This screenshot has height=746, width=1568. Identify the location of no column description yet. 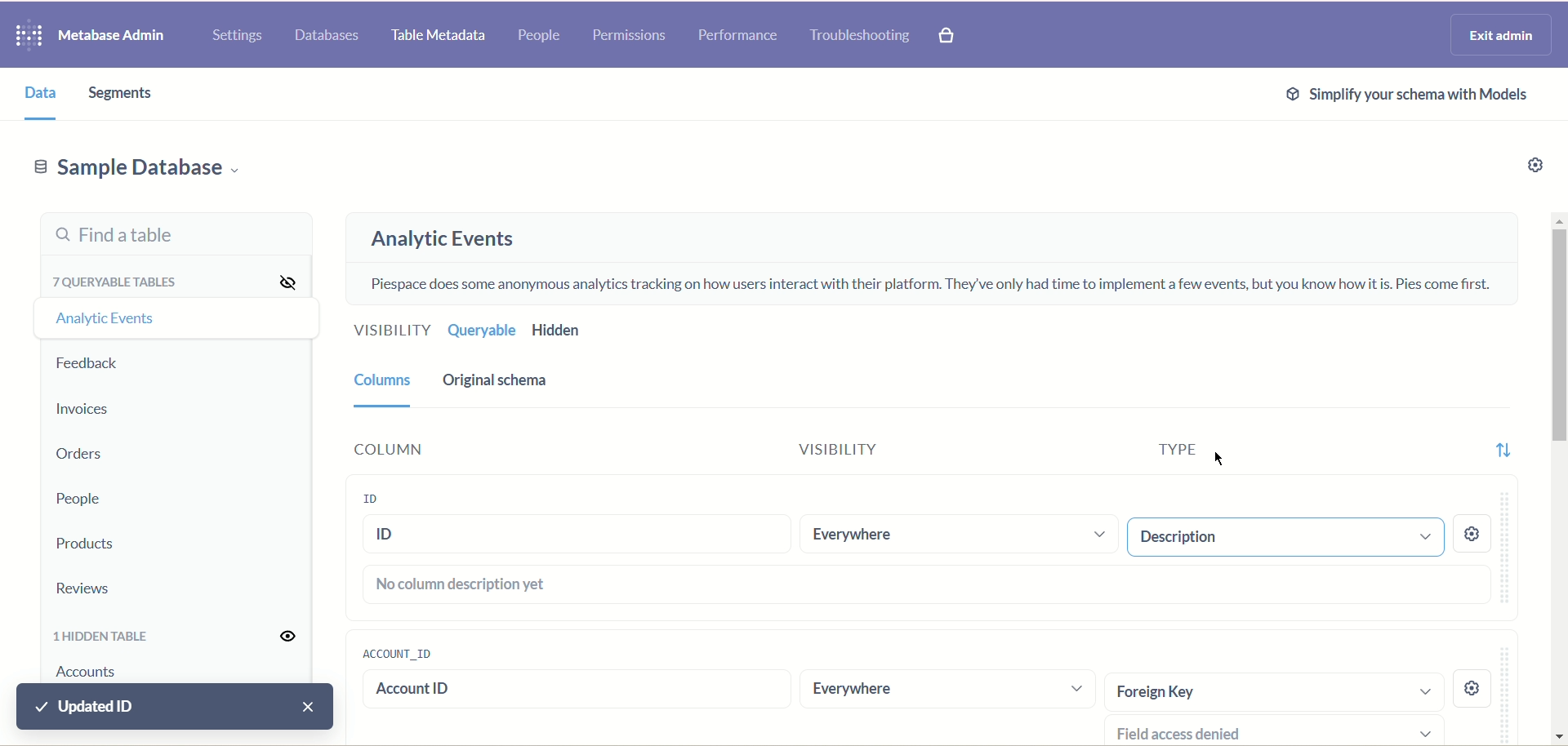
(922, 585).